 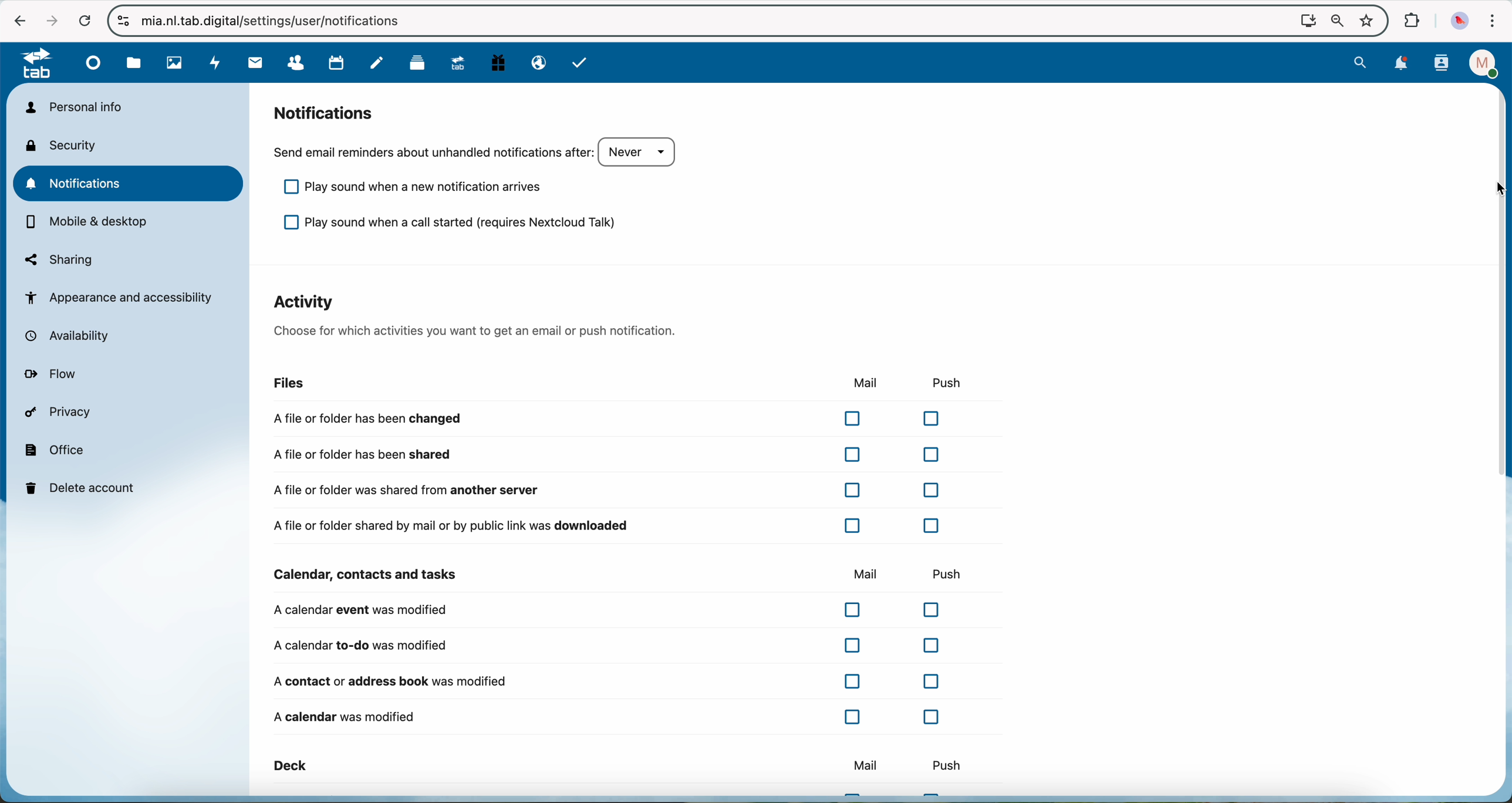 What do you see at coordinates (953, 576) in the screenshot?
I see `push` at bounding box center [953, 576].